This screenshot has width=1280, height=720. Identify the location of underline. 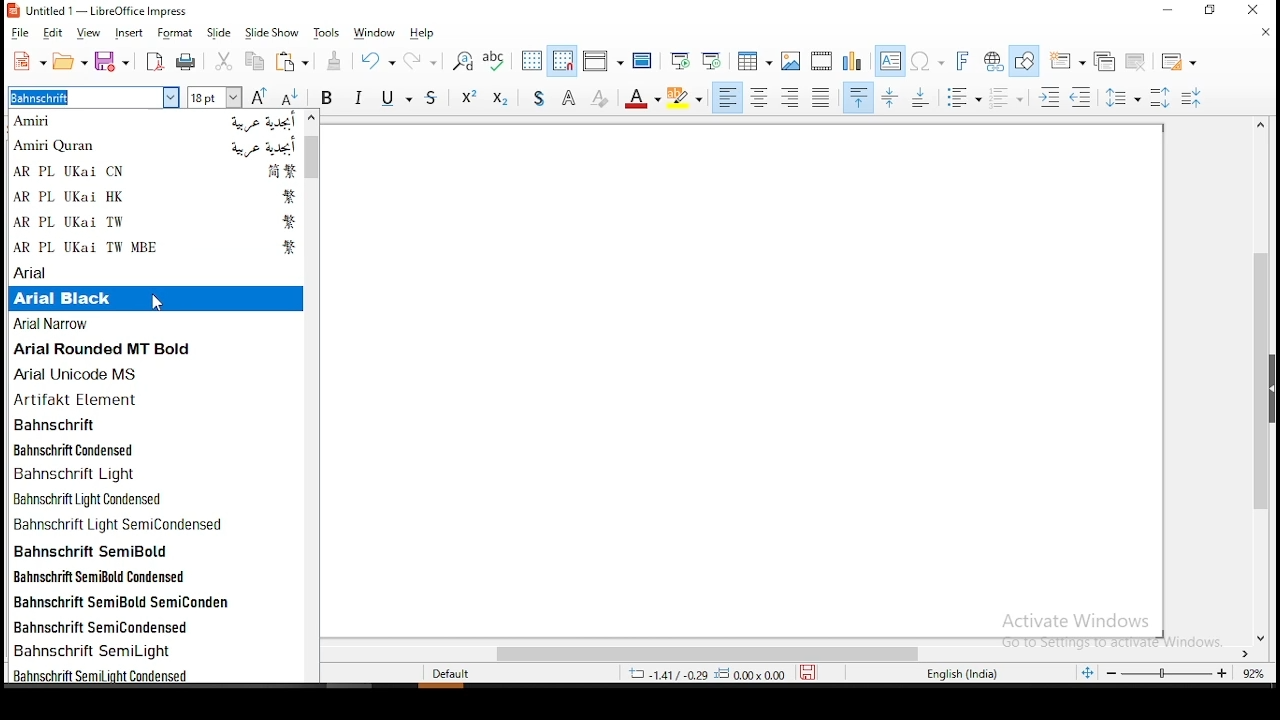
(400, 99).